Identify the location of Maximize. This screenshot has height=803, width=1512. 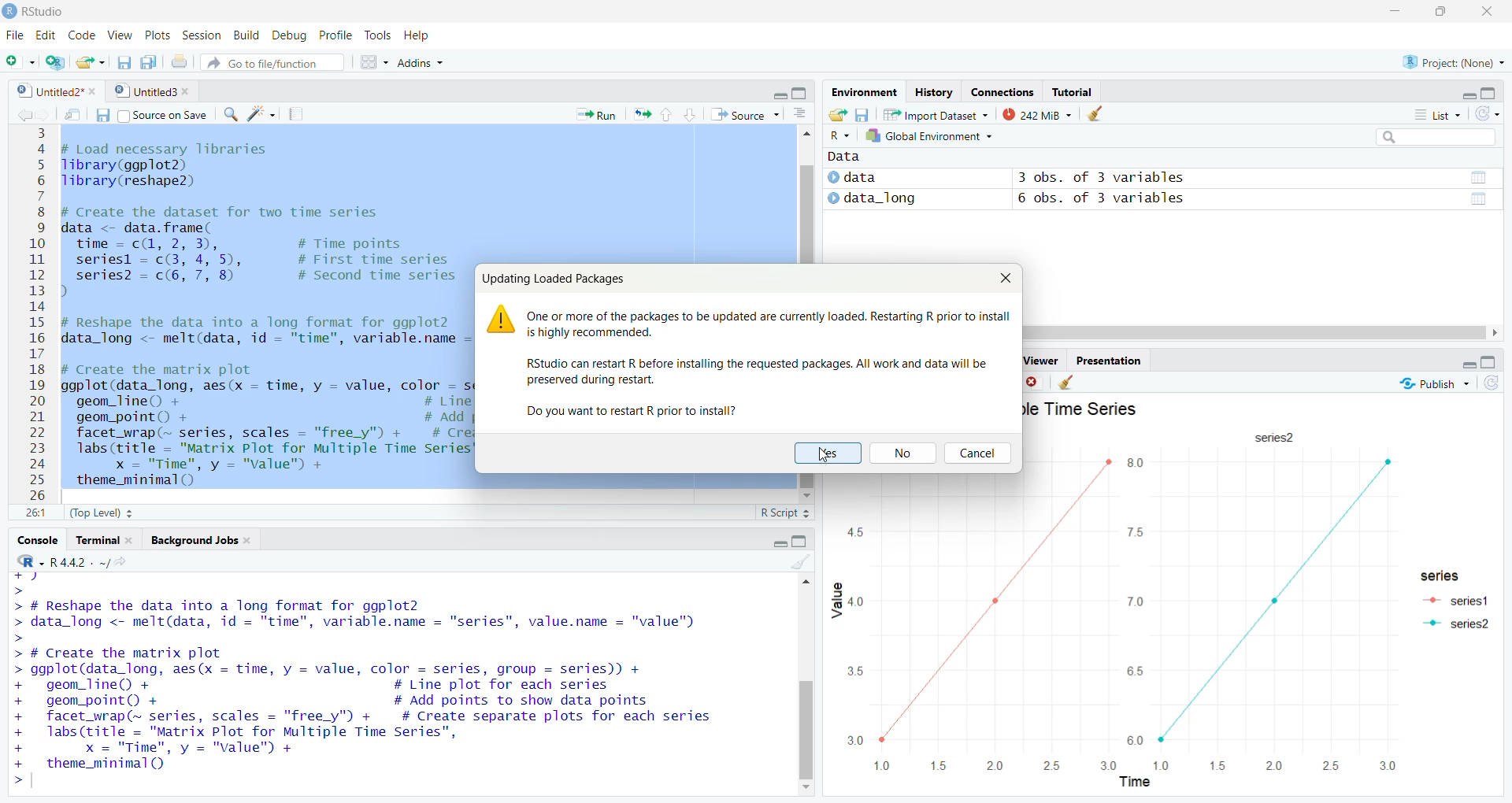
(802, 542).